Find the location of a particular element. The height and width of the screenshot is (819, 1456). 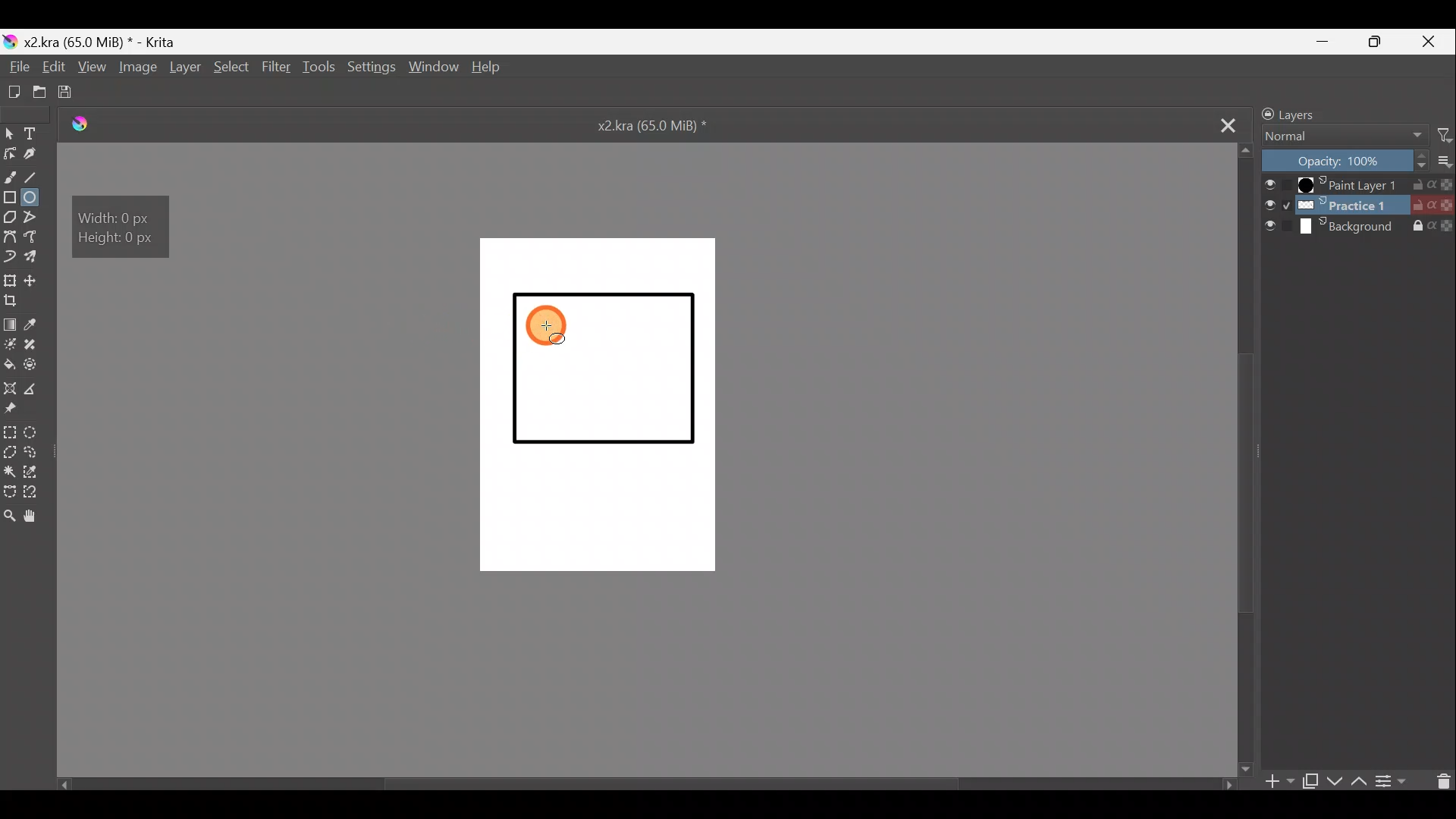

Logo is located at coordinates (90, 124).